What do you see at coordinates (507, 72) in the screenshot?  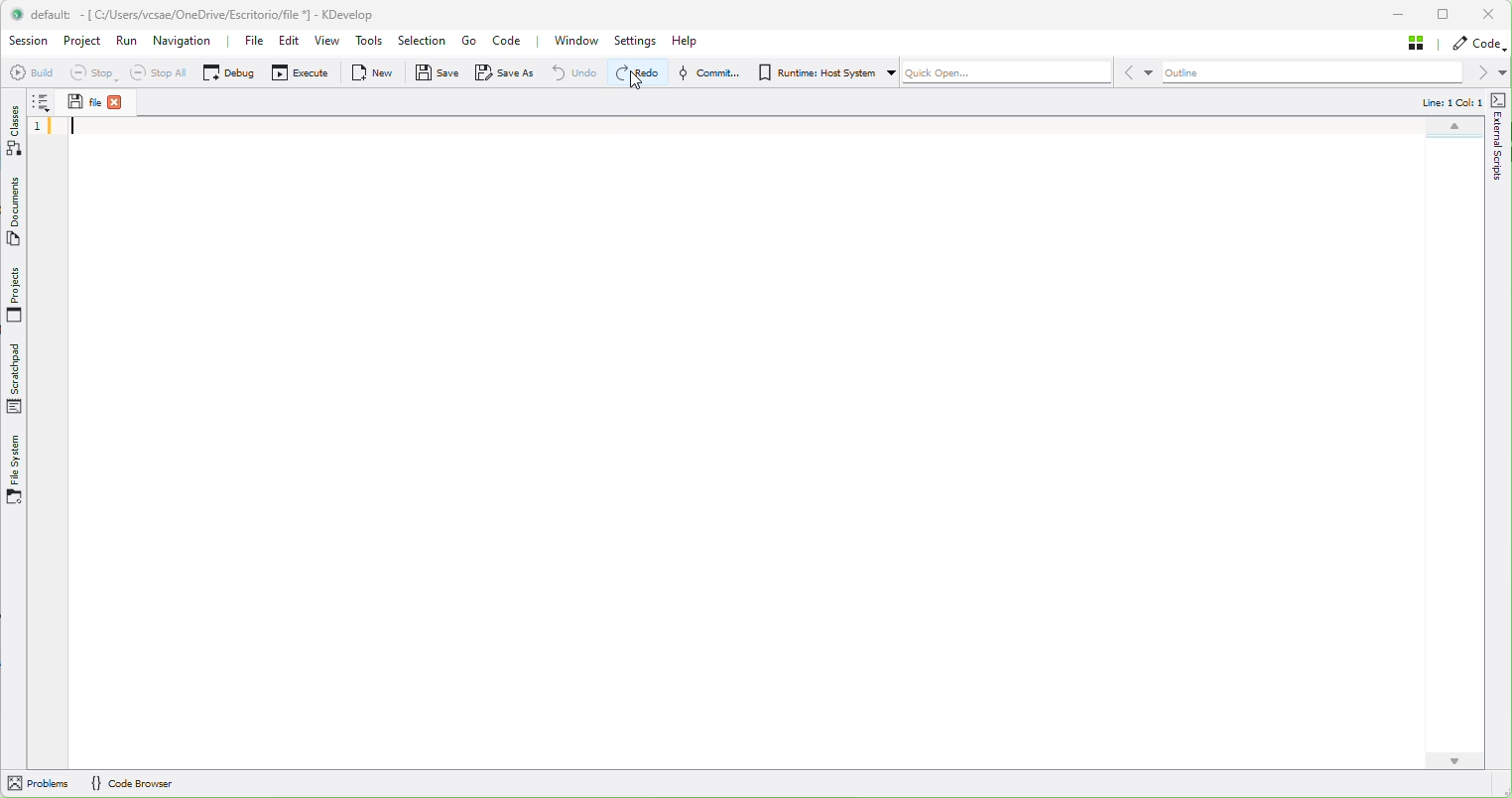 I see `Save as` at bounding box center [507, 72].